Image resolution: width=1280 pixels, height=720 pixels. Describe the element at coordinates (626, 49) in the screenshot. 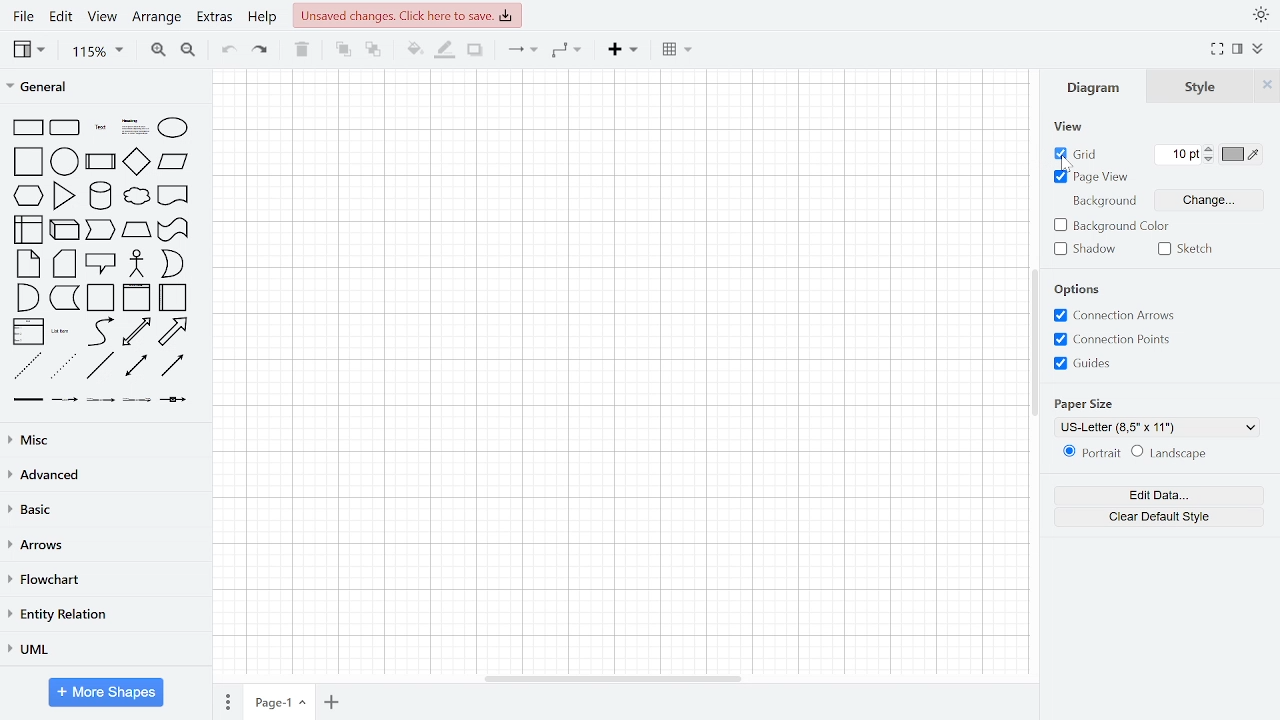

I see `insert` at that location.